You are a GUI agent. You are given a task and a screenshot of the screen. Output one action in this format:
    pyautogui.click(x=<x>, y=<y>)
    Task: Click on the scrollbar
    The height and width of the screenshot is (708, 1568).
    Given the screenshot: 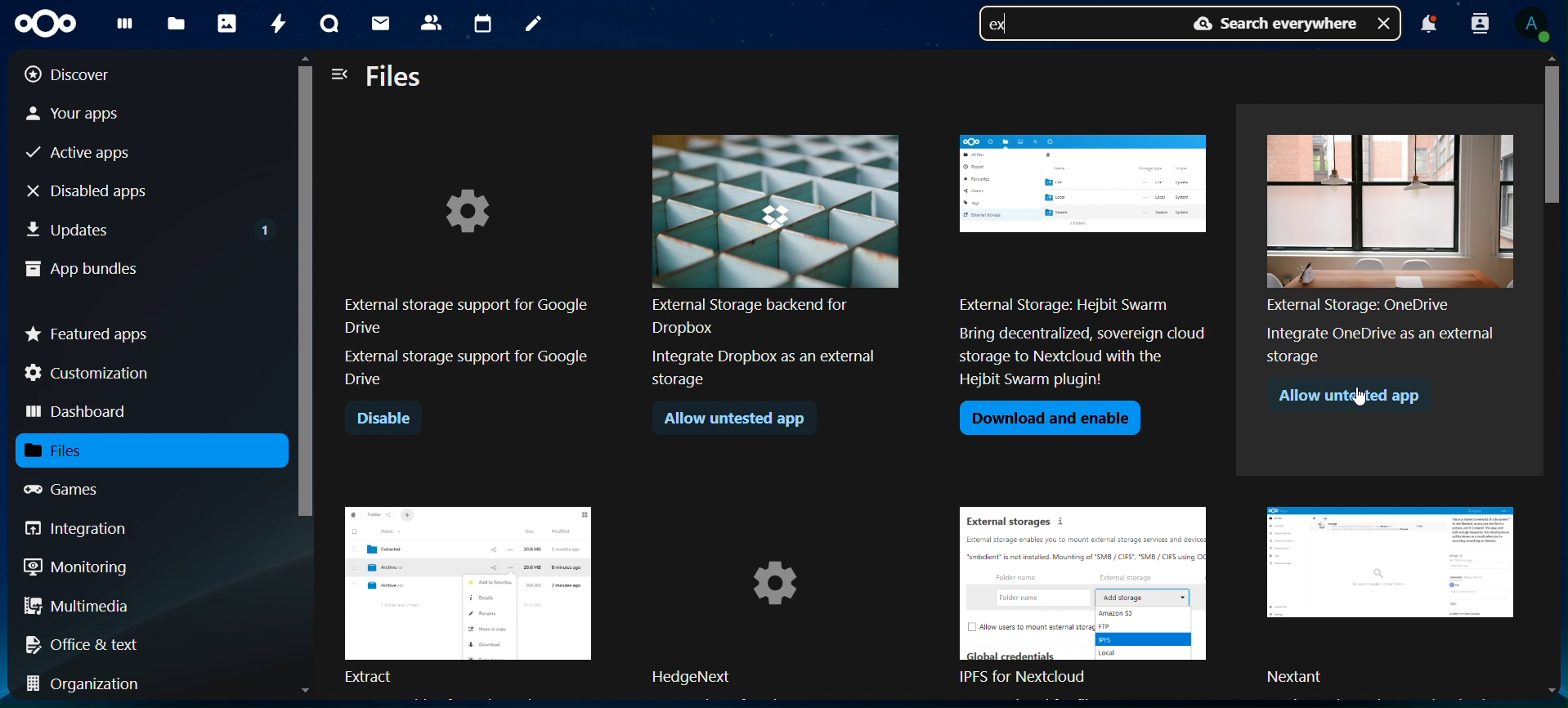 What is the action you would take?
    pyautogui.click(x=307, y=300)
    